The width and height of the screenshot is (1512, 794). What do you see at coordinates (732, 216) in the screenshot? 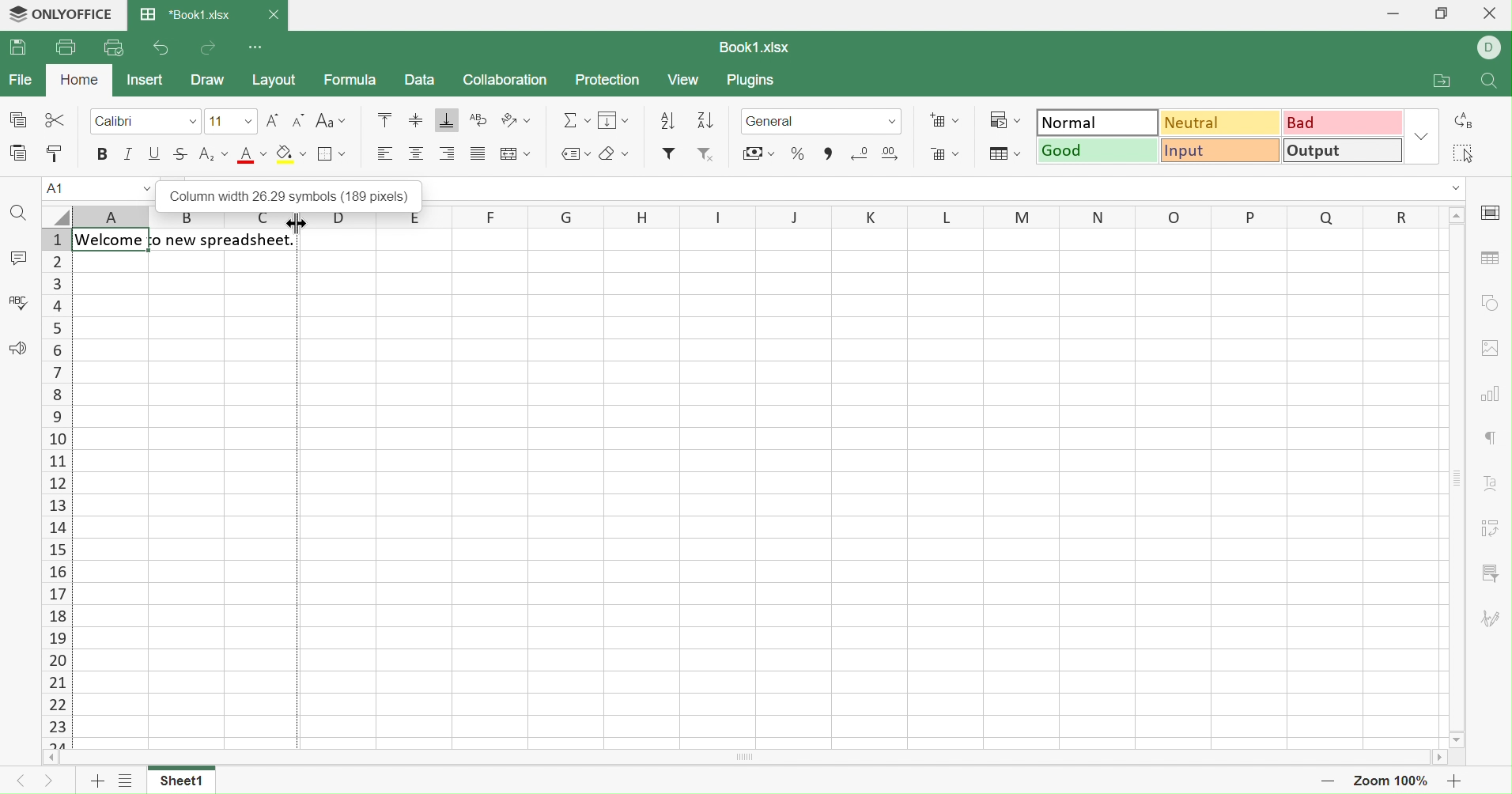
I see `Column Names` at bounding box center [732, 216].